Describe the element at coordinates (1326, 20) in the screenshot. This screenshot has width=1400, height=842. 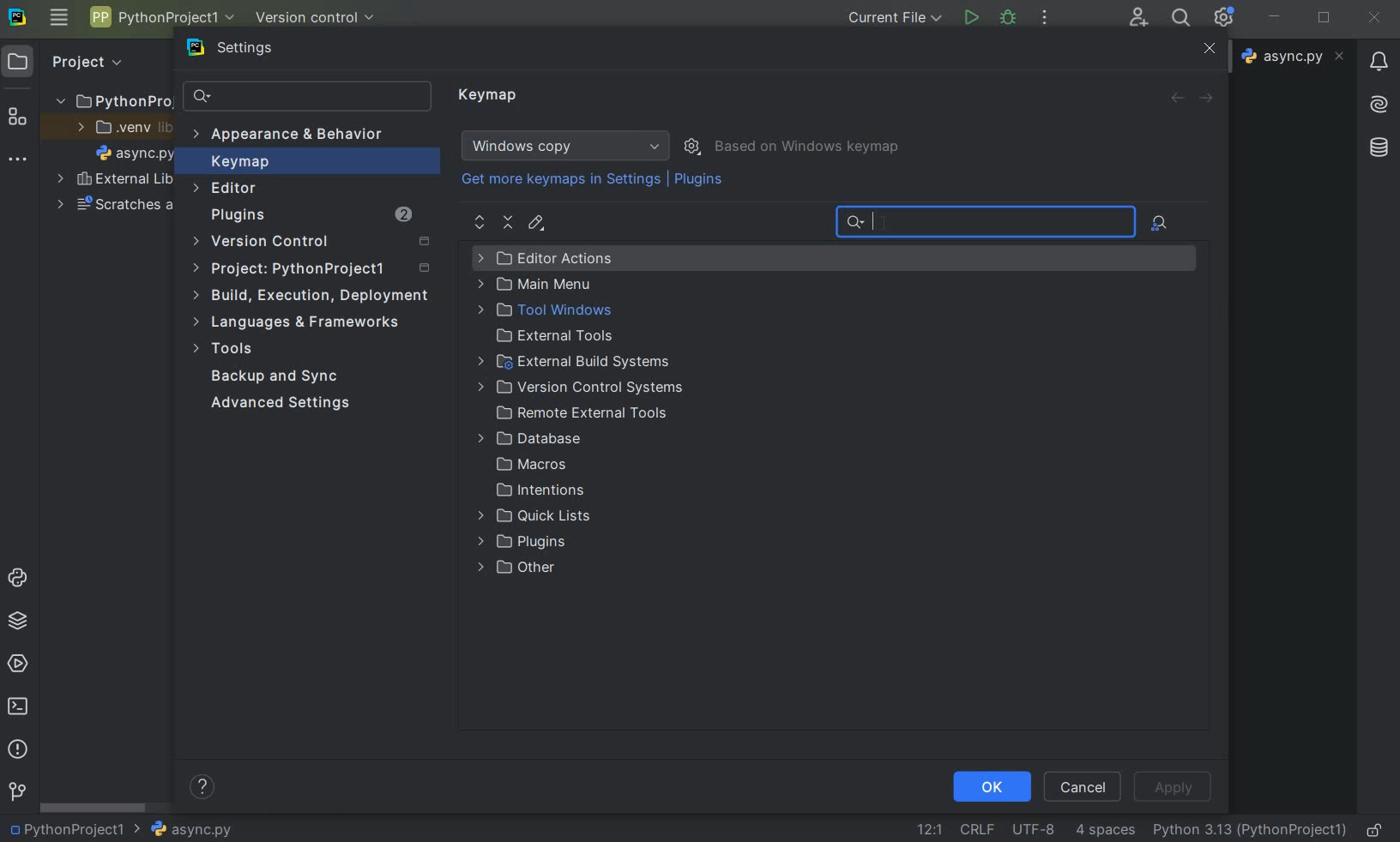
I see `restore down` at that location.